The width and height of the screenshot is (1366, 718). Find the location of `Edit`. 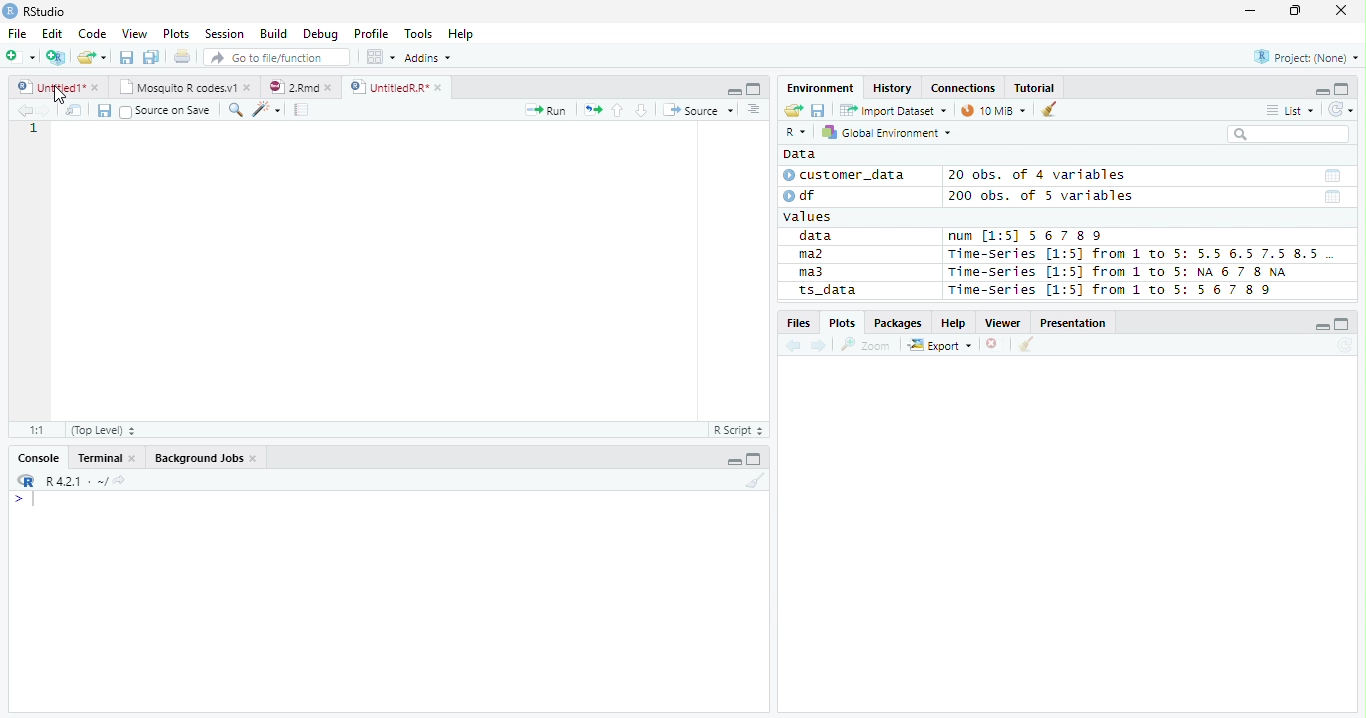

Edit is located at coordinates (51, 32).